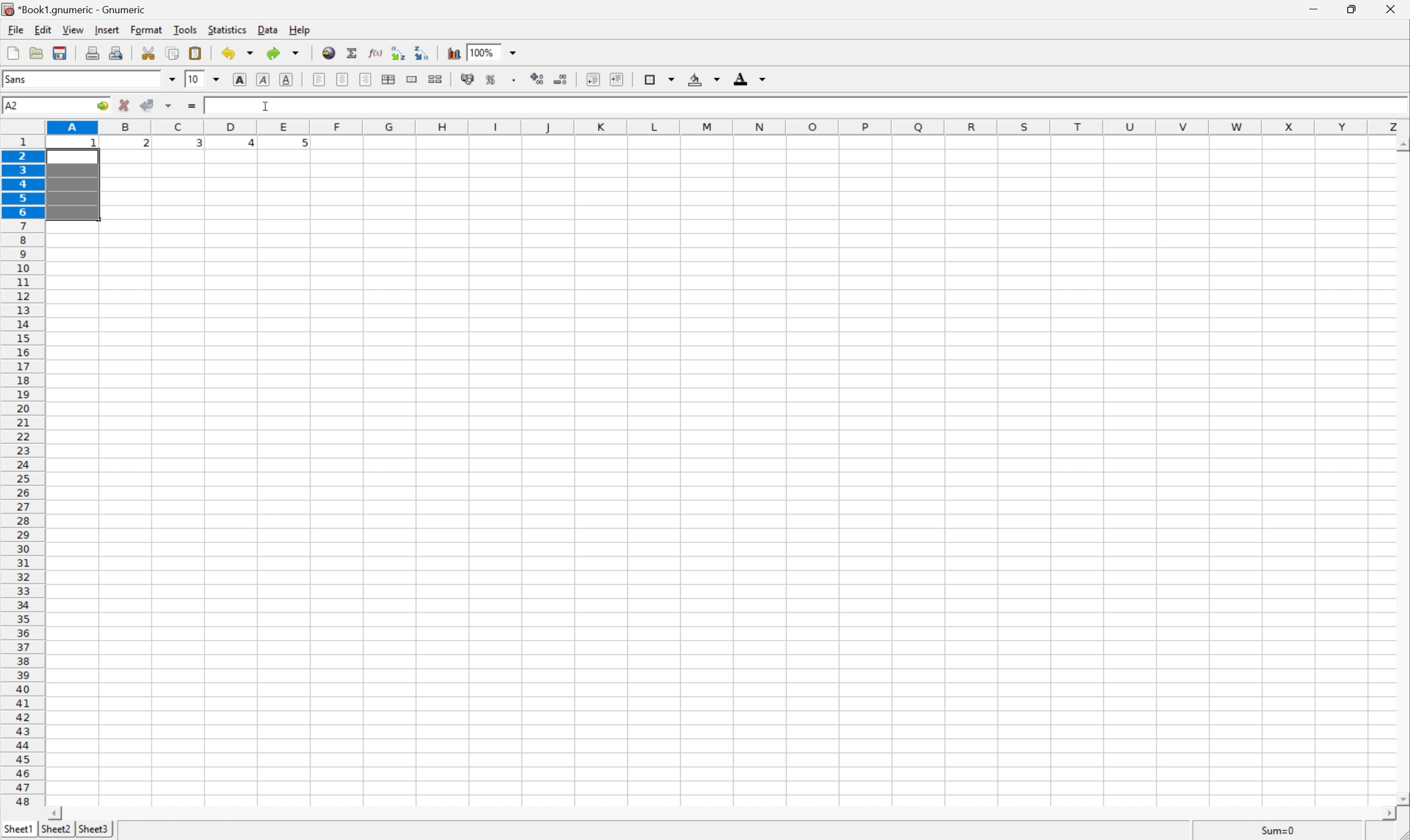 This screenshot has width=1410, height=840. I want to click on format selection as percentage, so click(491, 80).